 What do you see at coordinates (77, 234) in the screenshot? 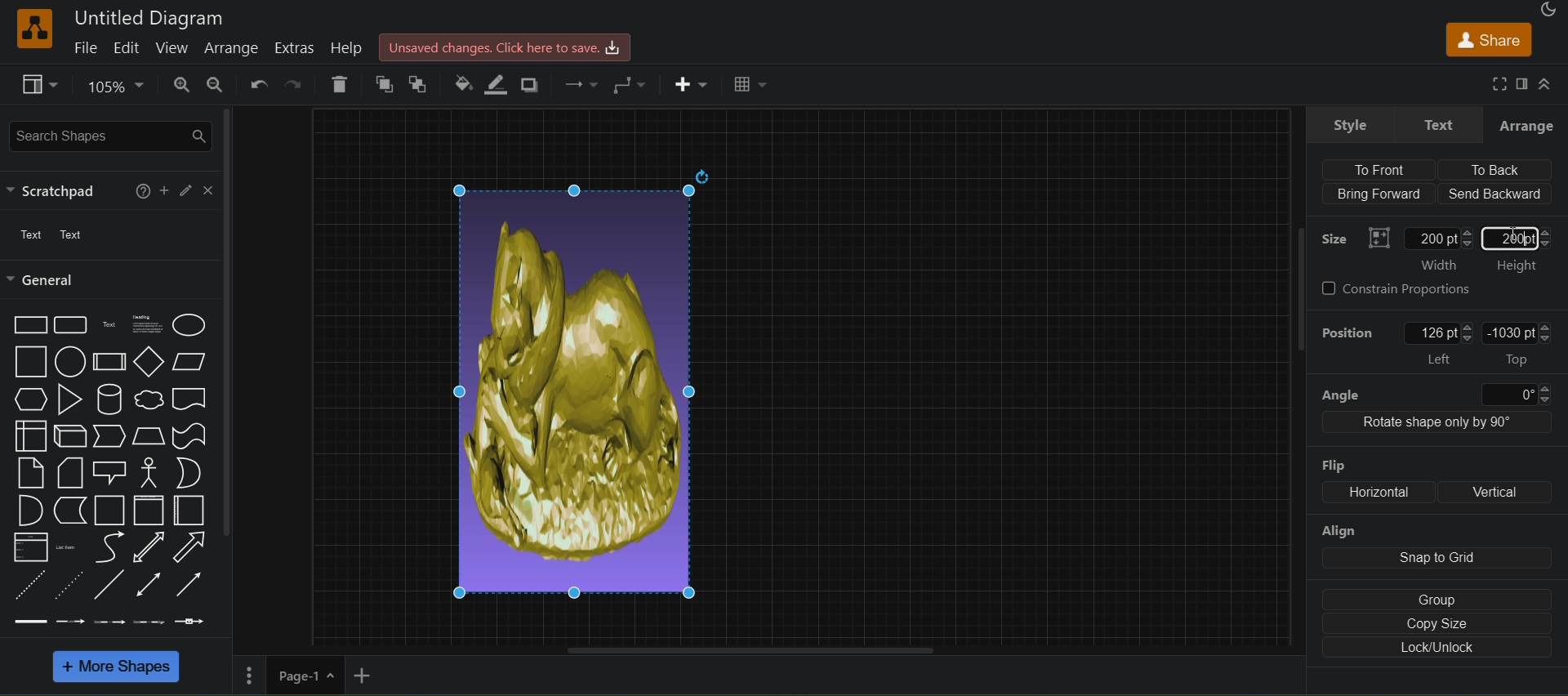
I see `Text` at bounding box center [77, 234].